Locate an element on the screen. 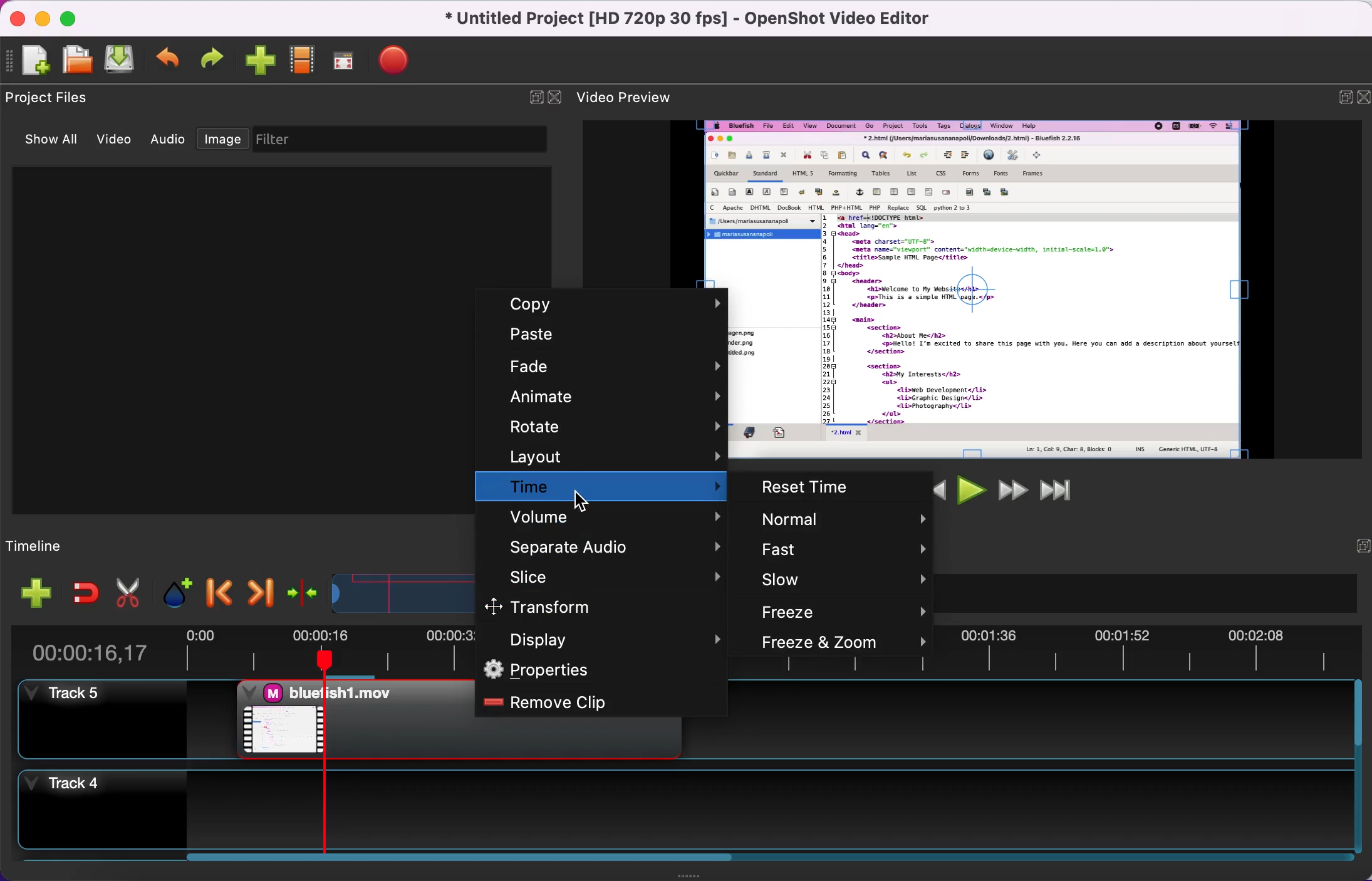 This screenshot has width=1372, height=881. undo is located at coordinates (170, 59).